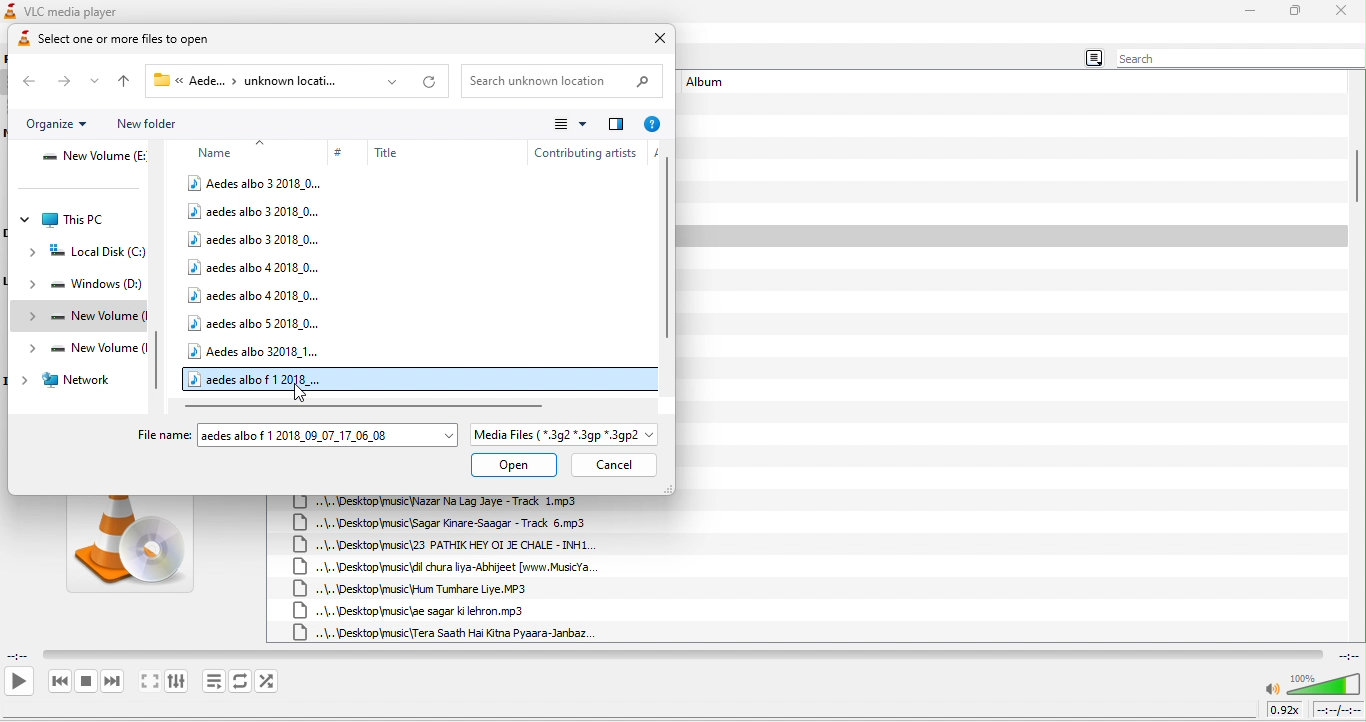 This screenshot has height=722, width=1366. I want to click on refresh, so click(428, 82).